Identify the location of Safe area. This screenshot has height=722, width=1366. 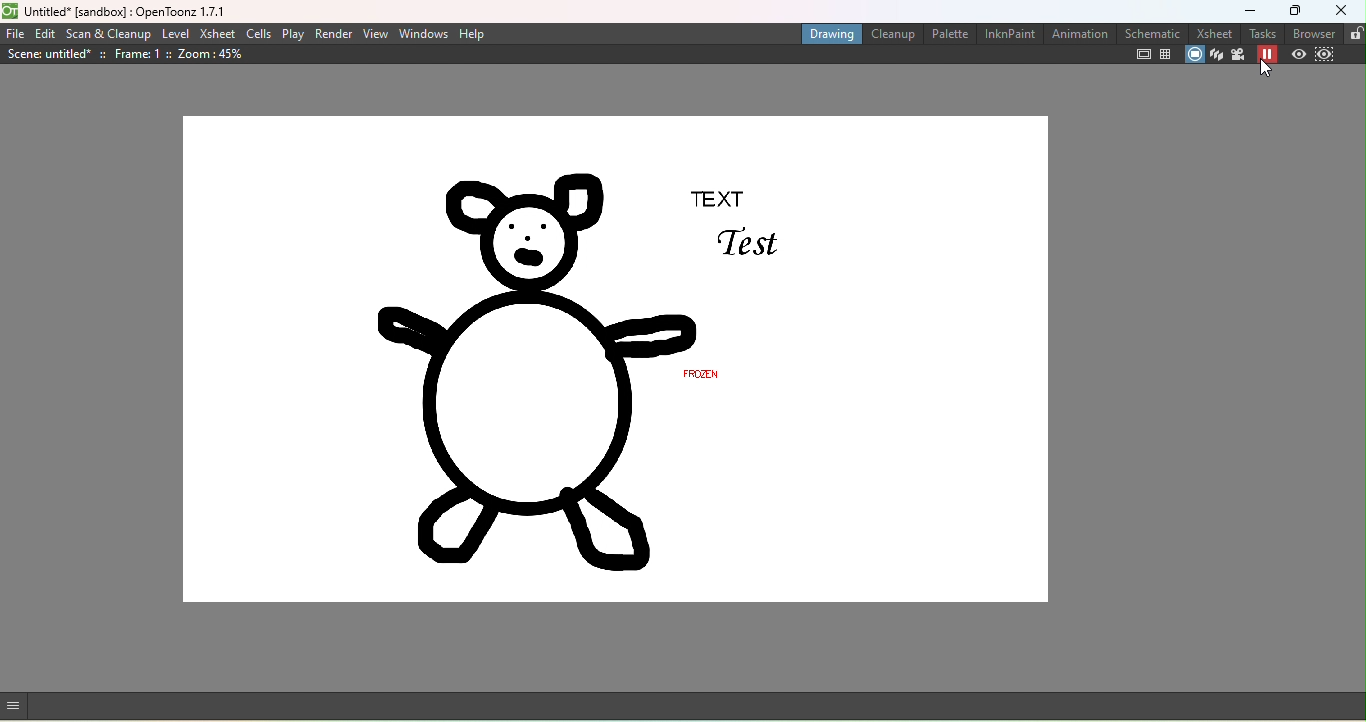
(1140, 56).